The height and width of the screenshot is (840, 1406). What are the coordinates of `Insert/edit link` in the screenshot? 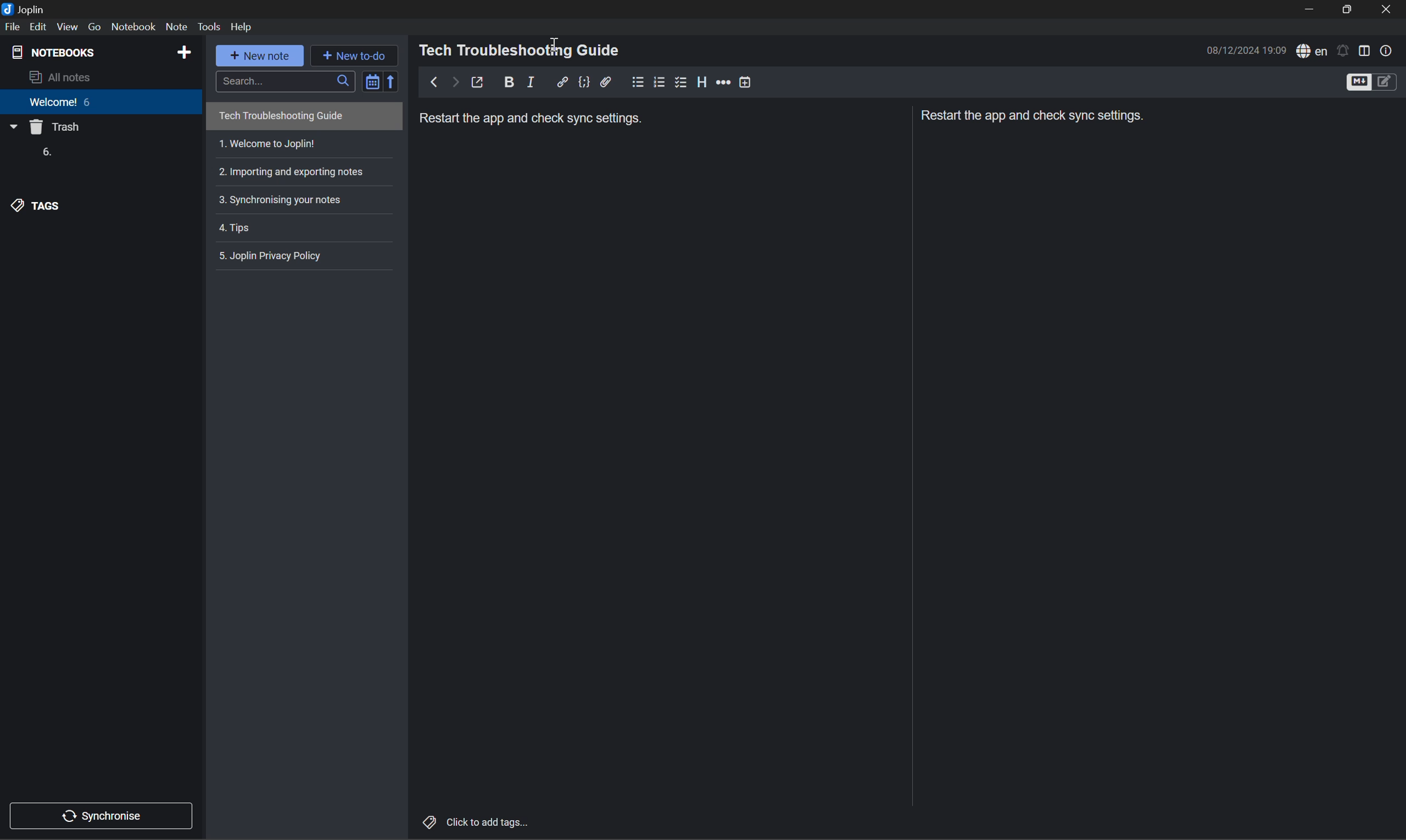 It's located at (562, 81).